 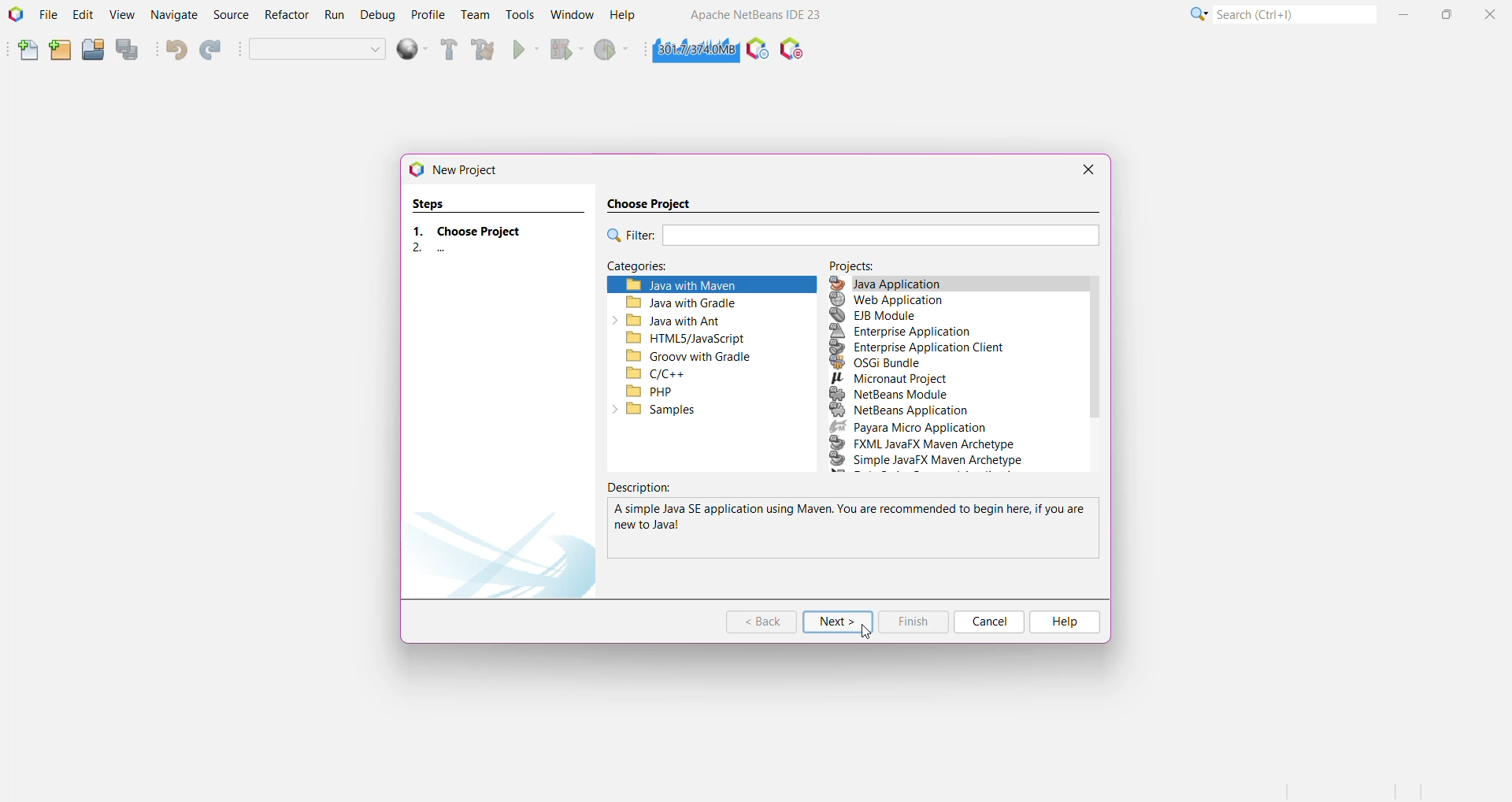 I want to click on Set Project Configuration, so click(x=317, y=49).